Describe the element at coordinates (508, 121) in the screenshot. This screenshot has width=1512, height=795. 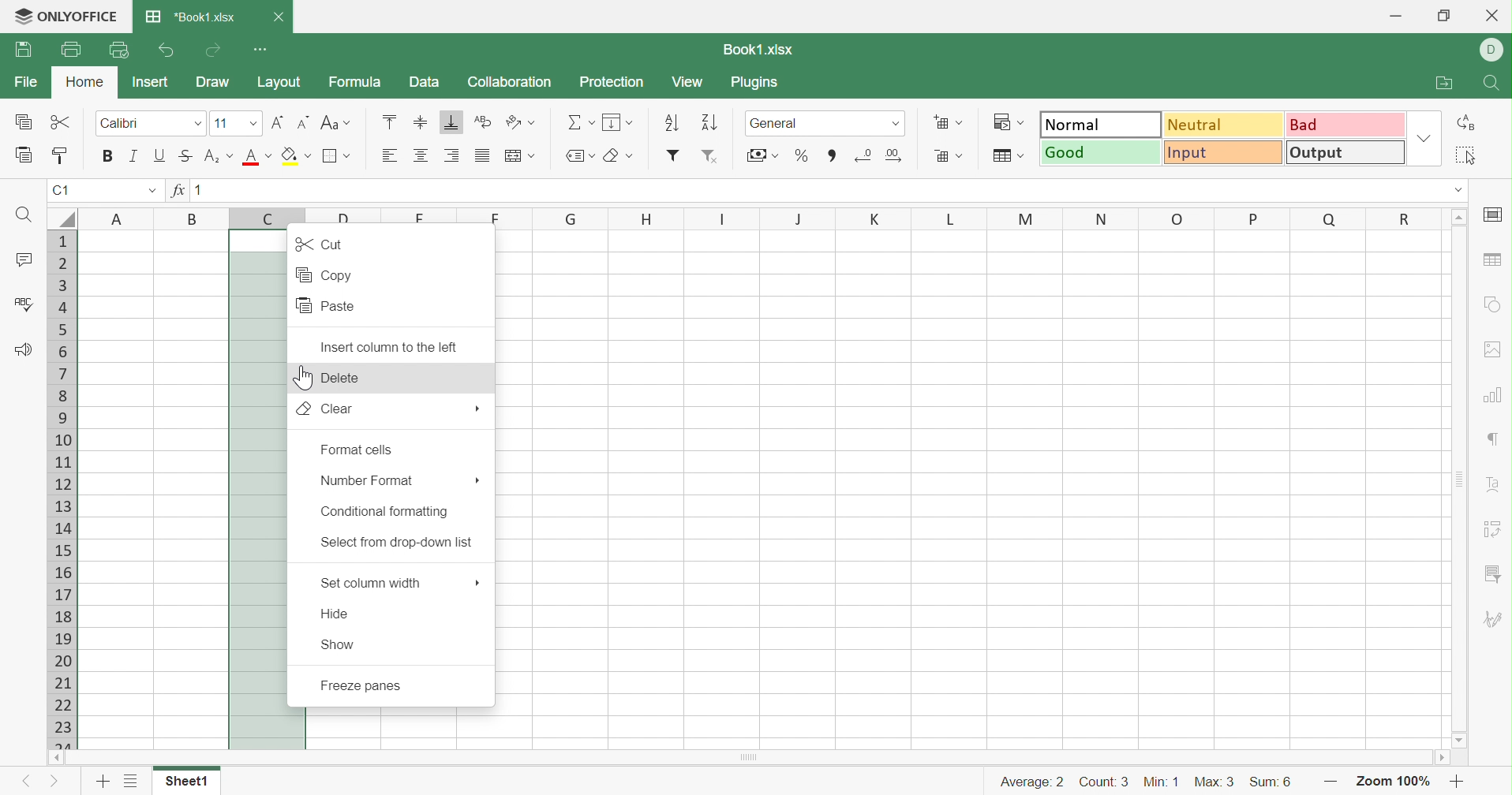
I see `Orientation` at that location.